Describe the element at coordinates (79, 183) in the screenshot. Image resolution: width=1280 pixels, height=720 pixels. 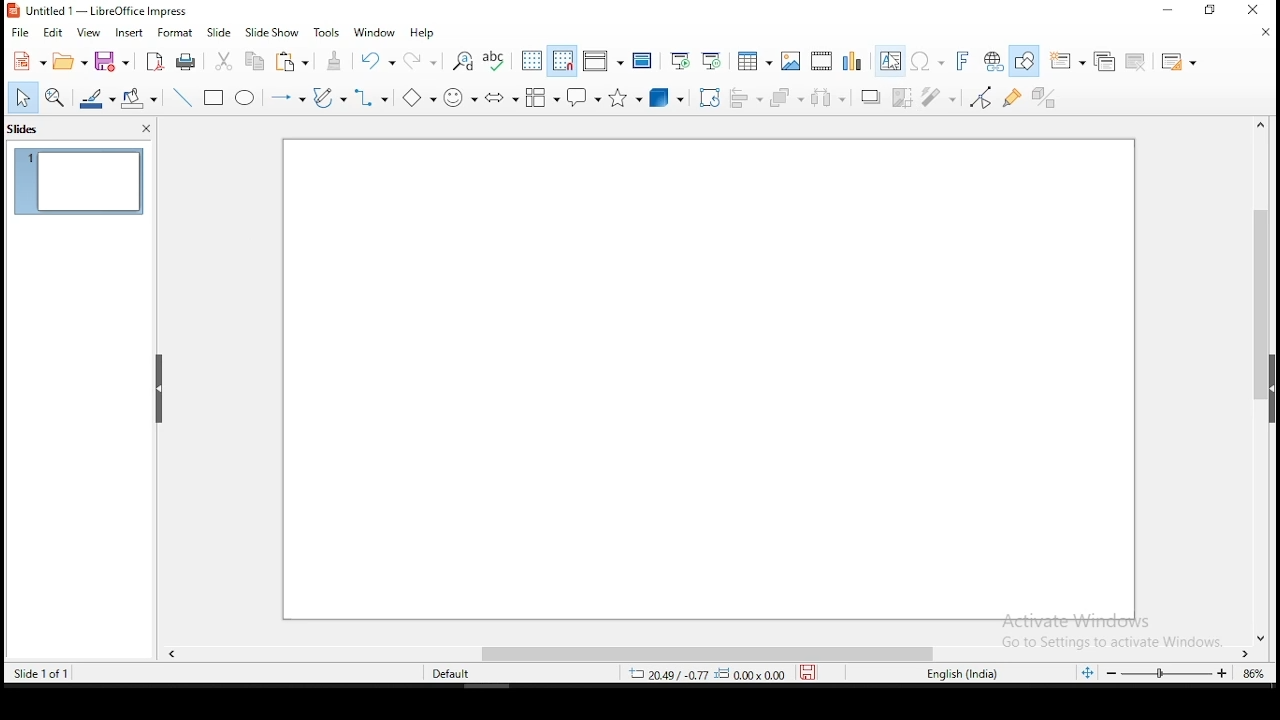
I see `slide` at that location.